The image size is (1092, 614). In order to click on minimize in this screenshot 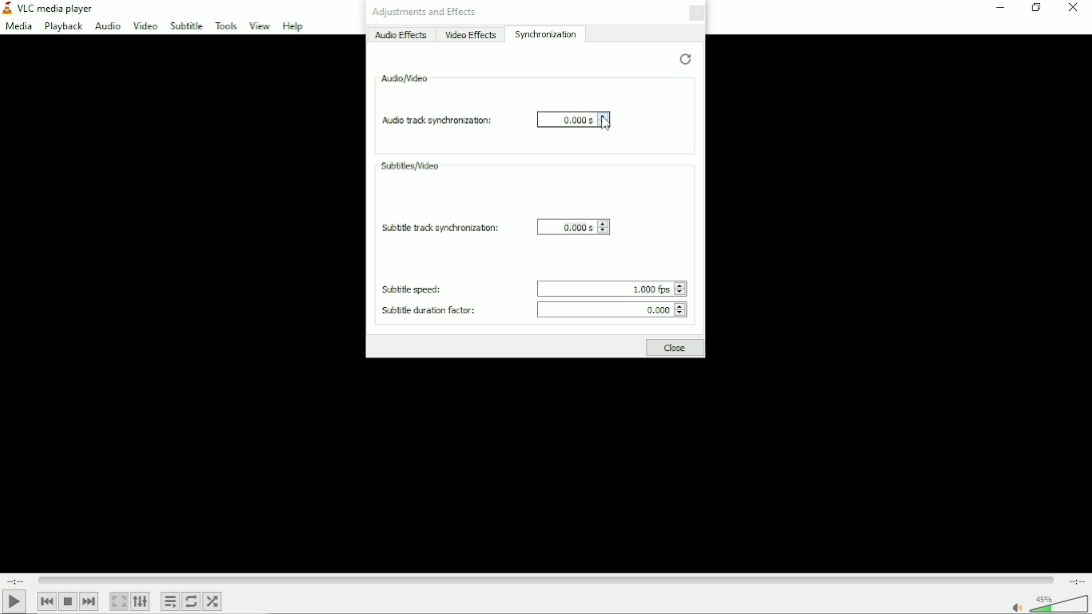, I will do `click(999, 8)`.